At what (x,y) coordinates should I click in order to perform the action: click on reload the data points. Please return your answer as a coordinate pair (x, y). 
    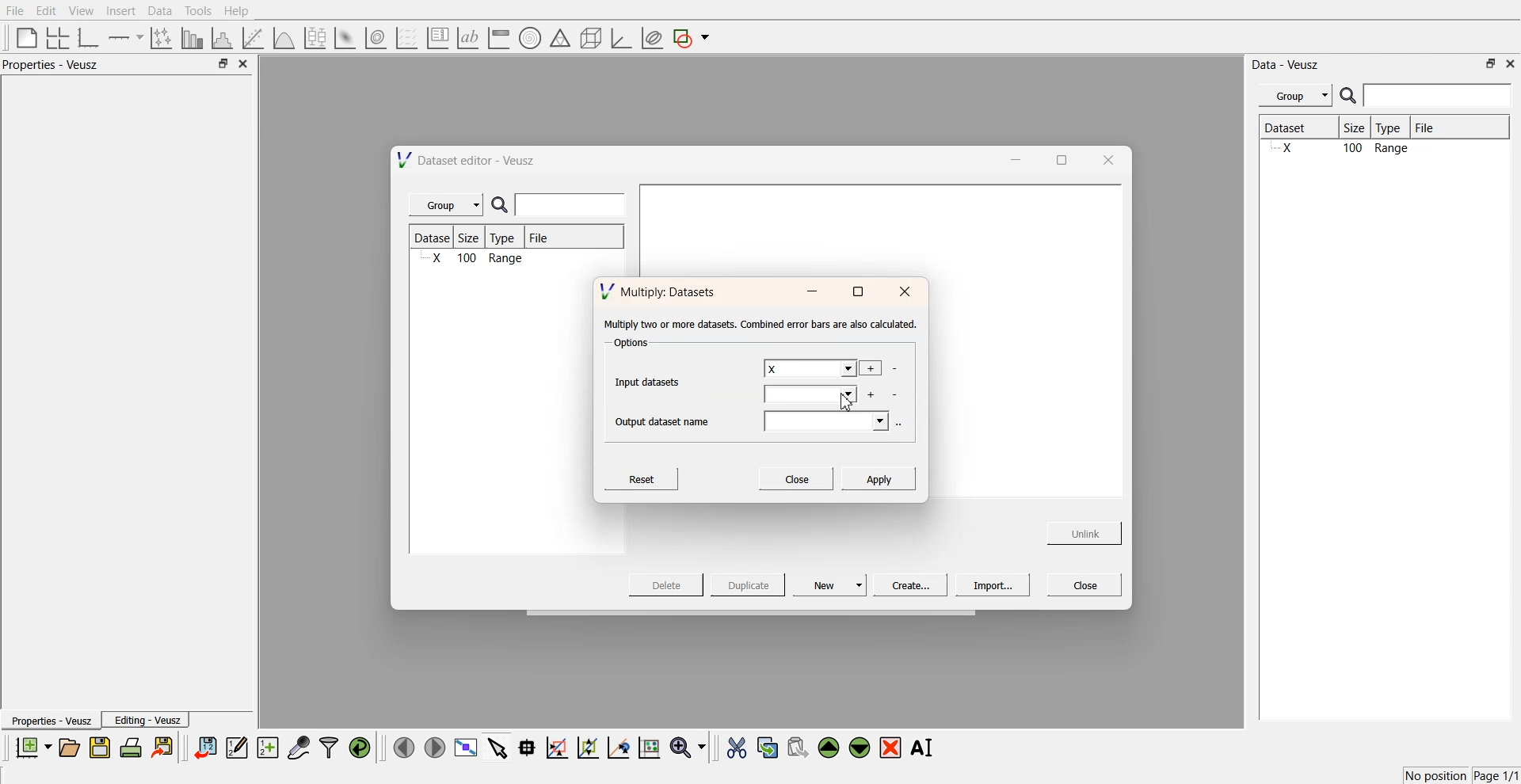
    Looking at the image, I should click on (360, 748).